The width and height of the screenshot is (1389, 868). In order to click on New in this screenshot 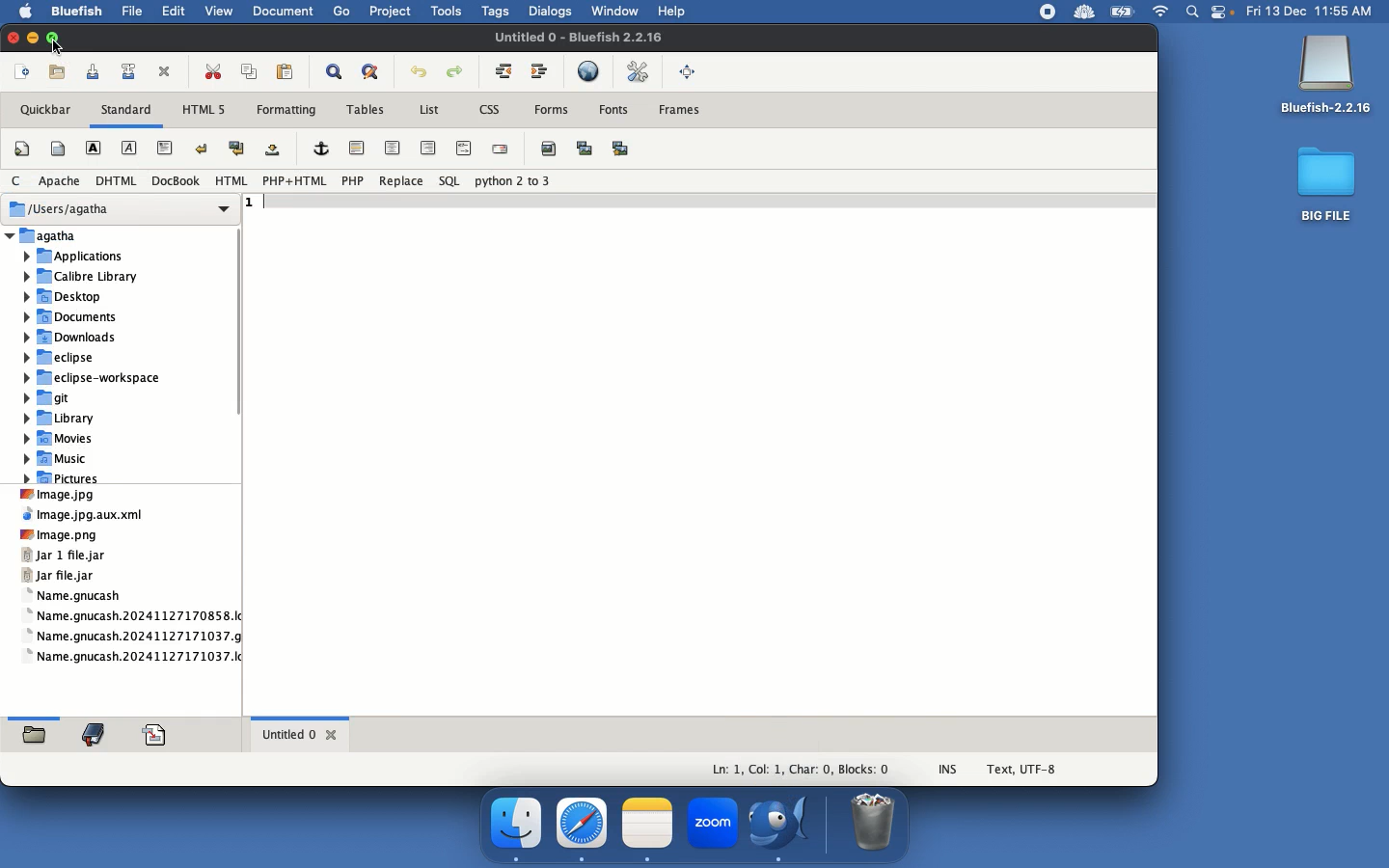, I will do `click(24, 70)`.